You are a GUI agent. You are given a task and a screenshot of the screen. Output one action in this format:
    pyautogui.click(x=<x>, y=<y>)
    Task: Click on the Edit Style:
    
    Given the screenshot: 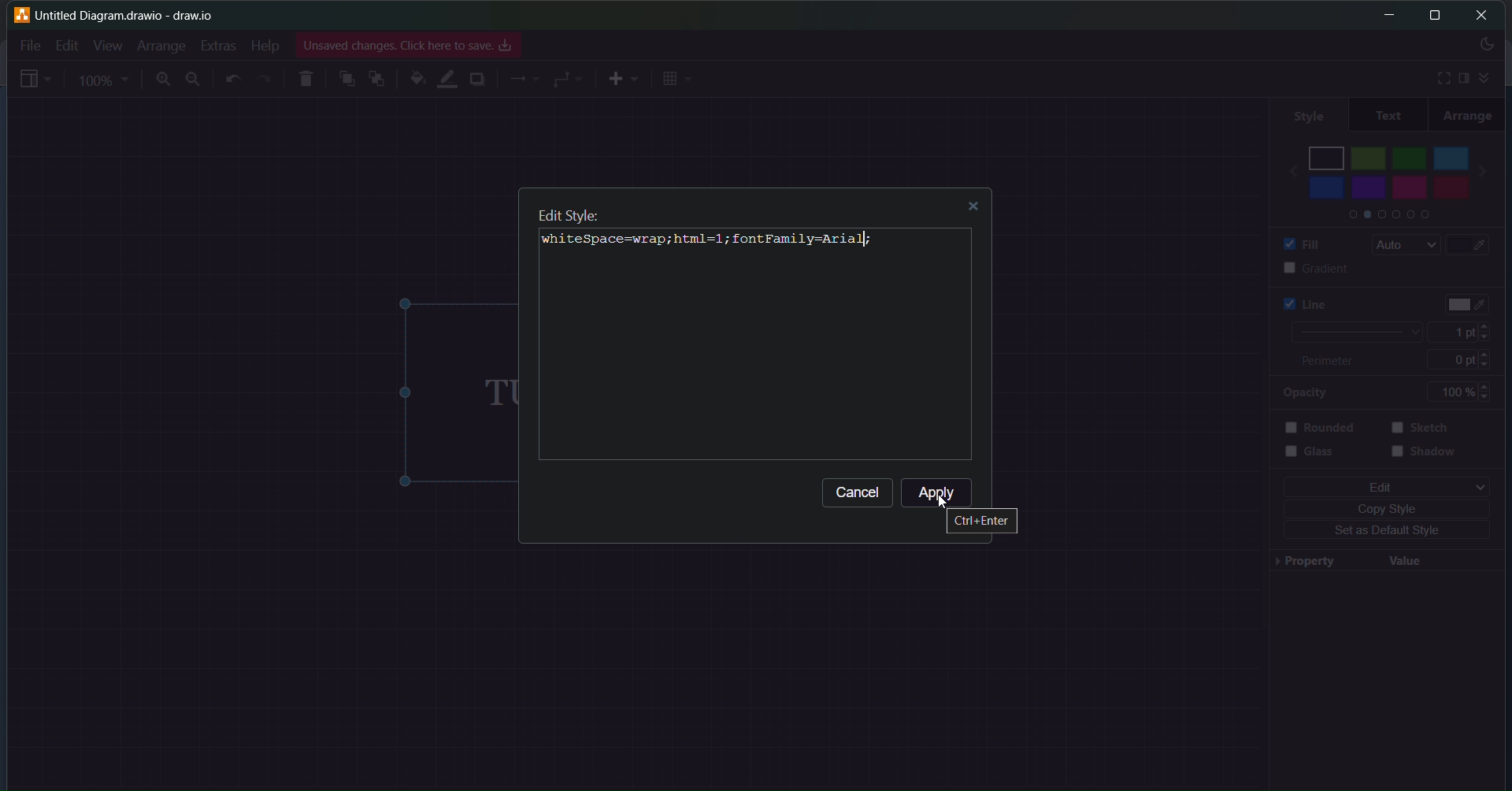 What is the action you would take?
    pyautogui.click(x=568, y=213)
    